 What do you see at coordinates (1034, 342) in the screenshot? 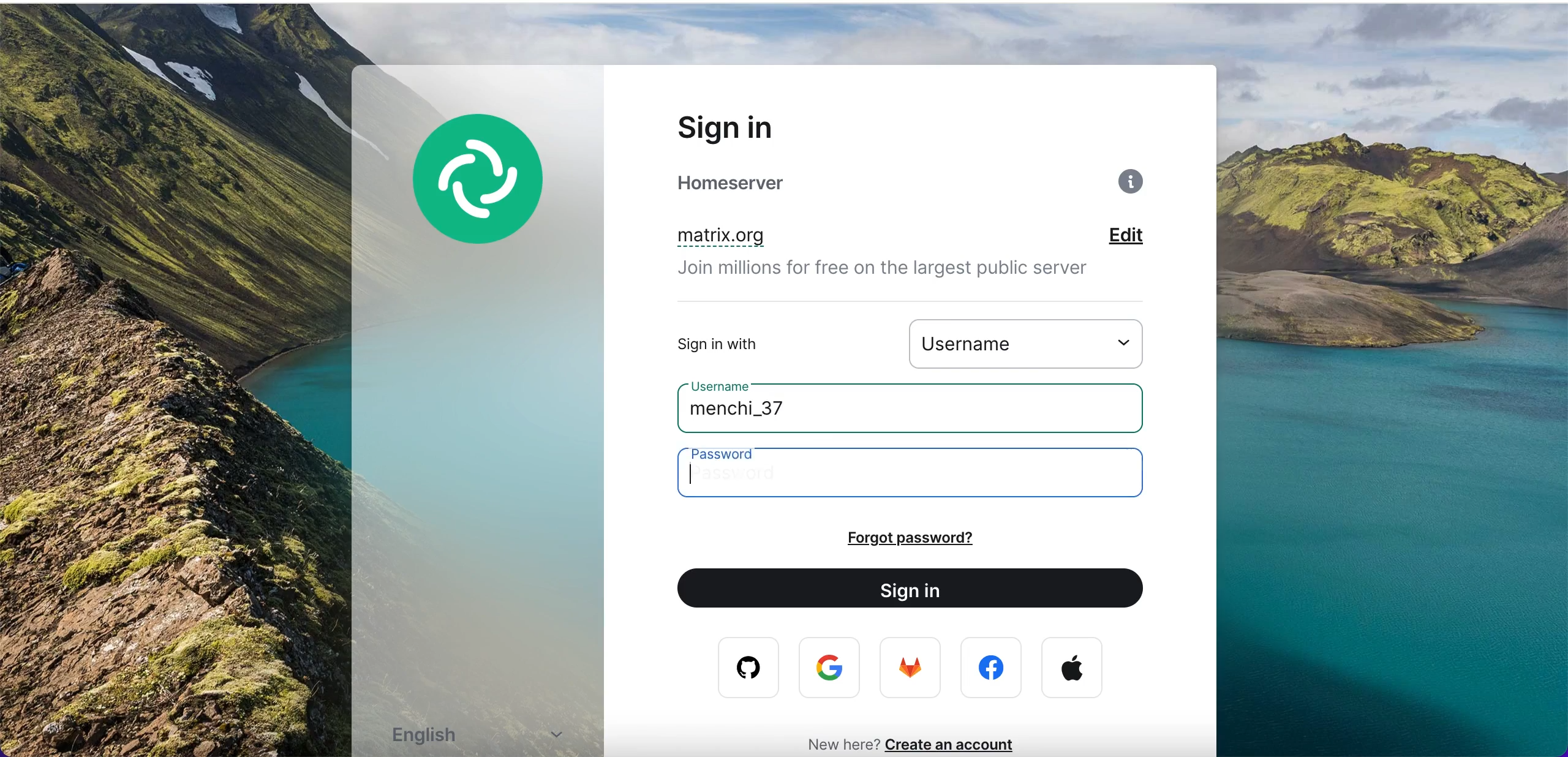
I see `username` at bounding box center [1034, 342].